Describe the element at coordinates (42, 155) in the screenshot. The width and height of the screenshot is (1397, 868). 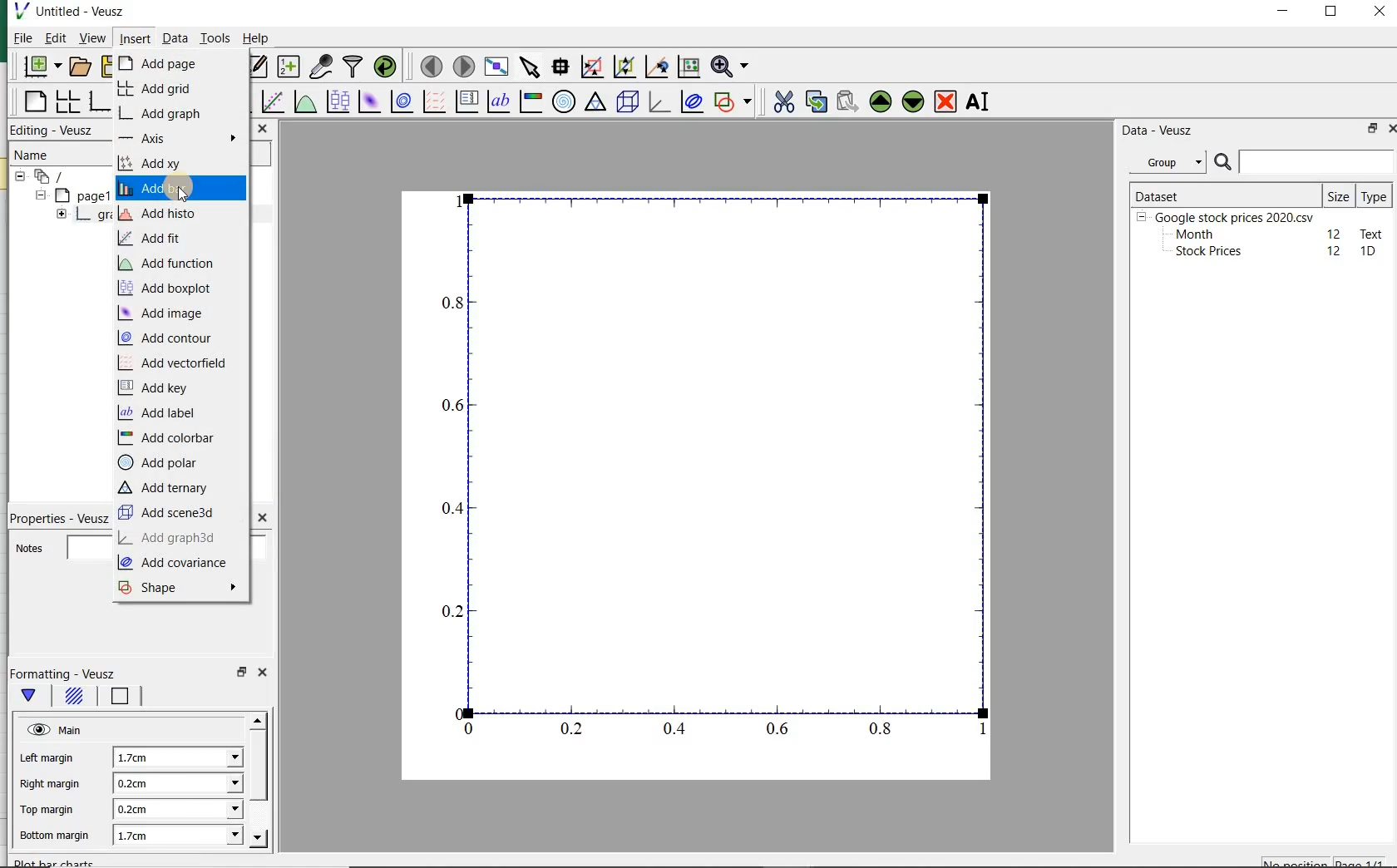
I see `Name` at that location.